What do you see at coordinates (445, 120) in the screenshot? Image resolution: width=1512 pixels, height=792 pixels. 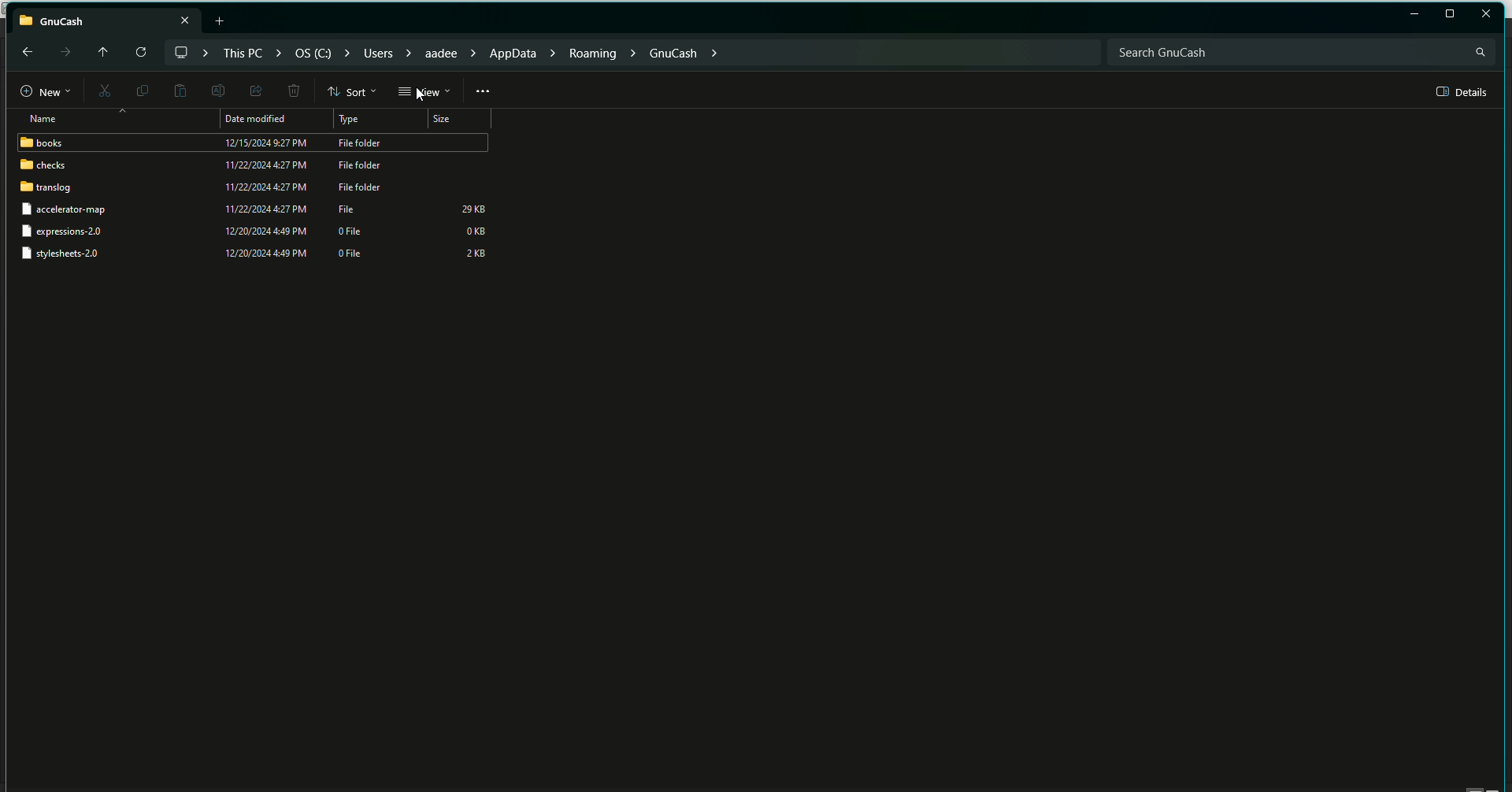 I see `Size` at bounding box center [445, 120].